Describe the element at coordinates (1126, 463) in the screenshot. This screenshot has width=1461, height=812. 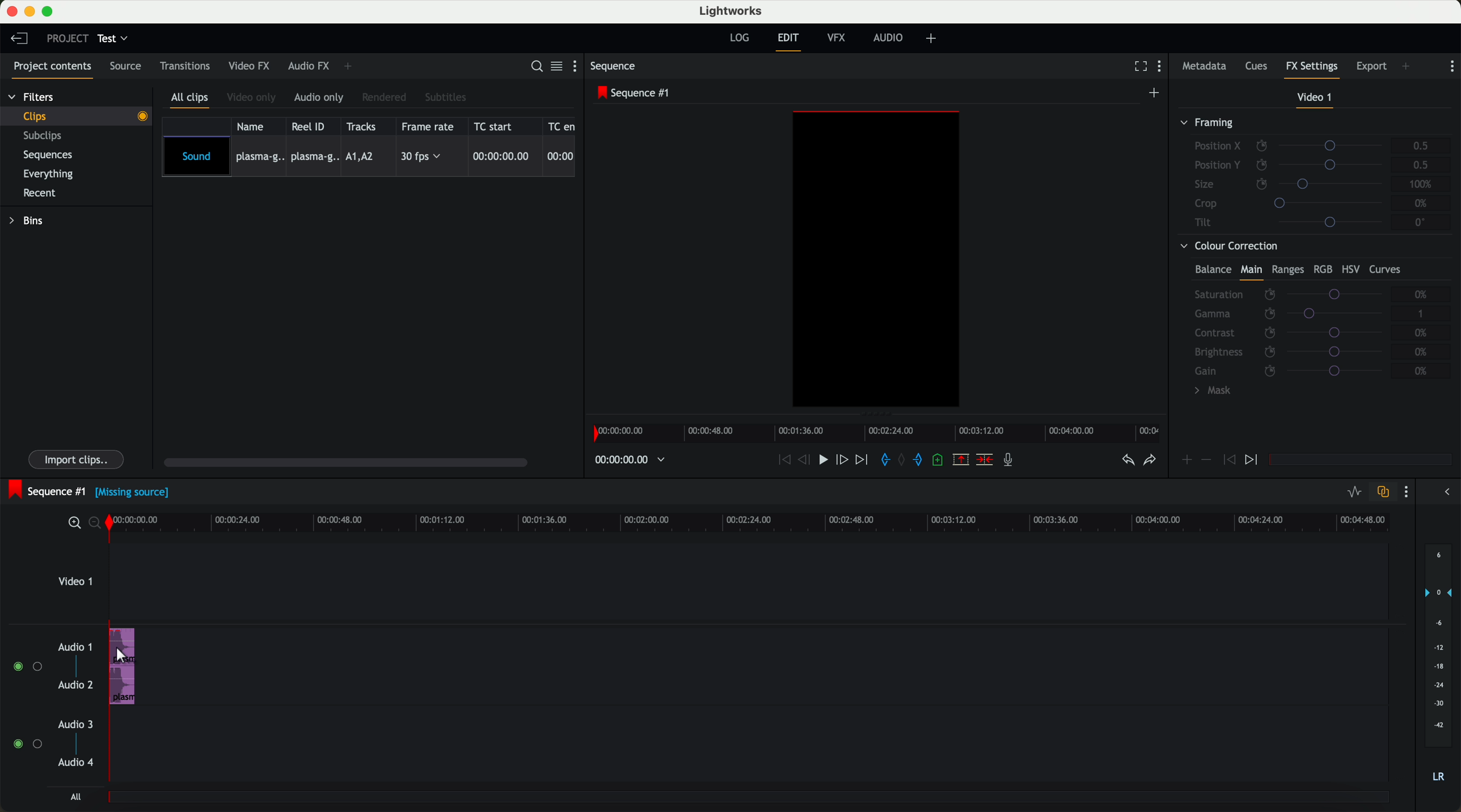
I see `undo` at that location.